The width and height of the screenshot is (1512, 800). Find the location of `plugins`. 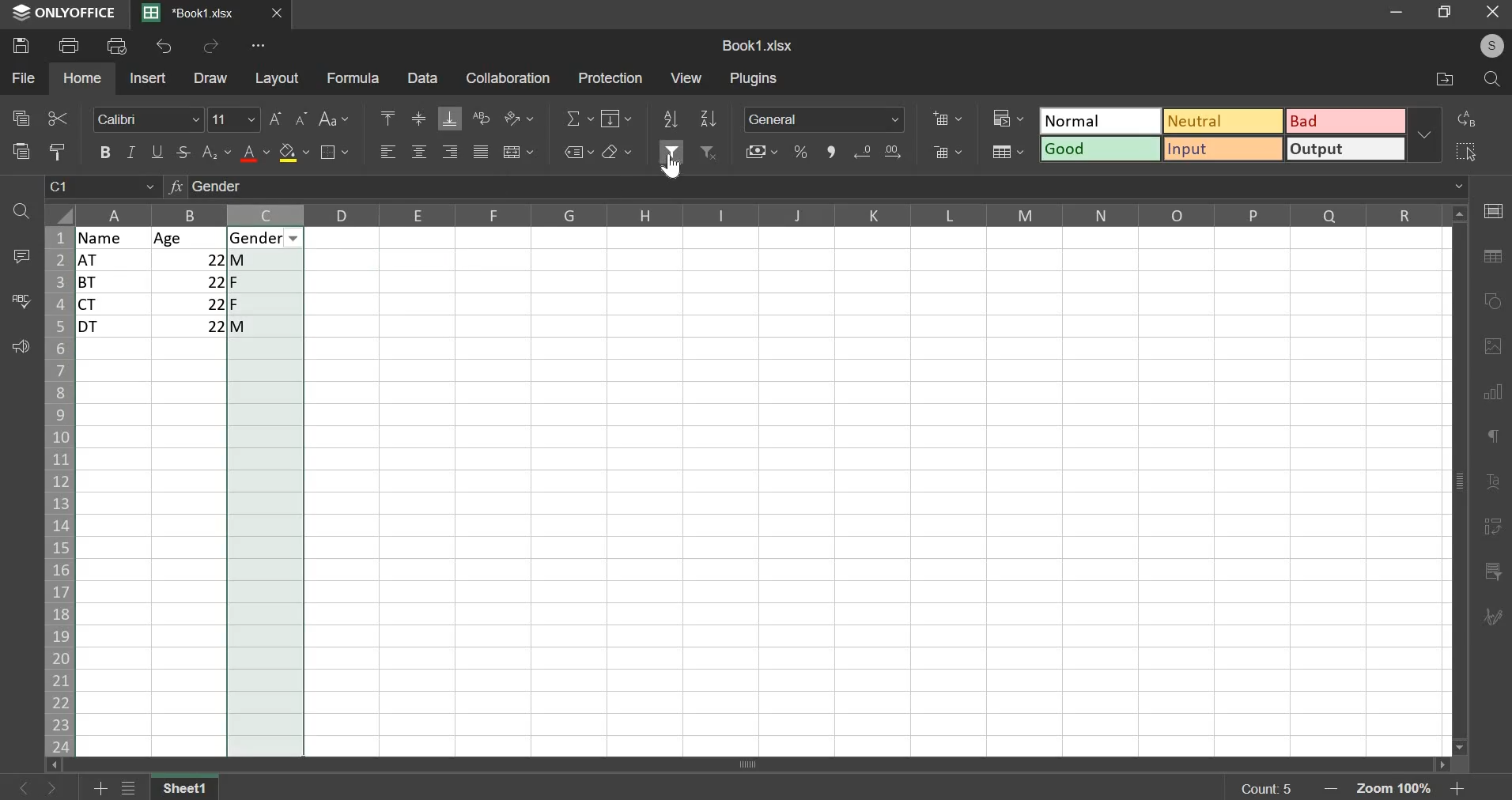

plugins is located at coordinates (754, 79).